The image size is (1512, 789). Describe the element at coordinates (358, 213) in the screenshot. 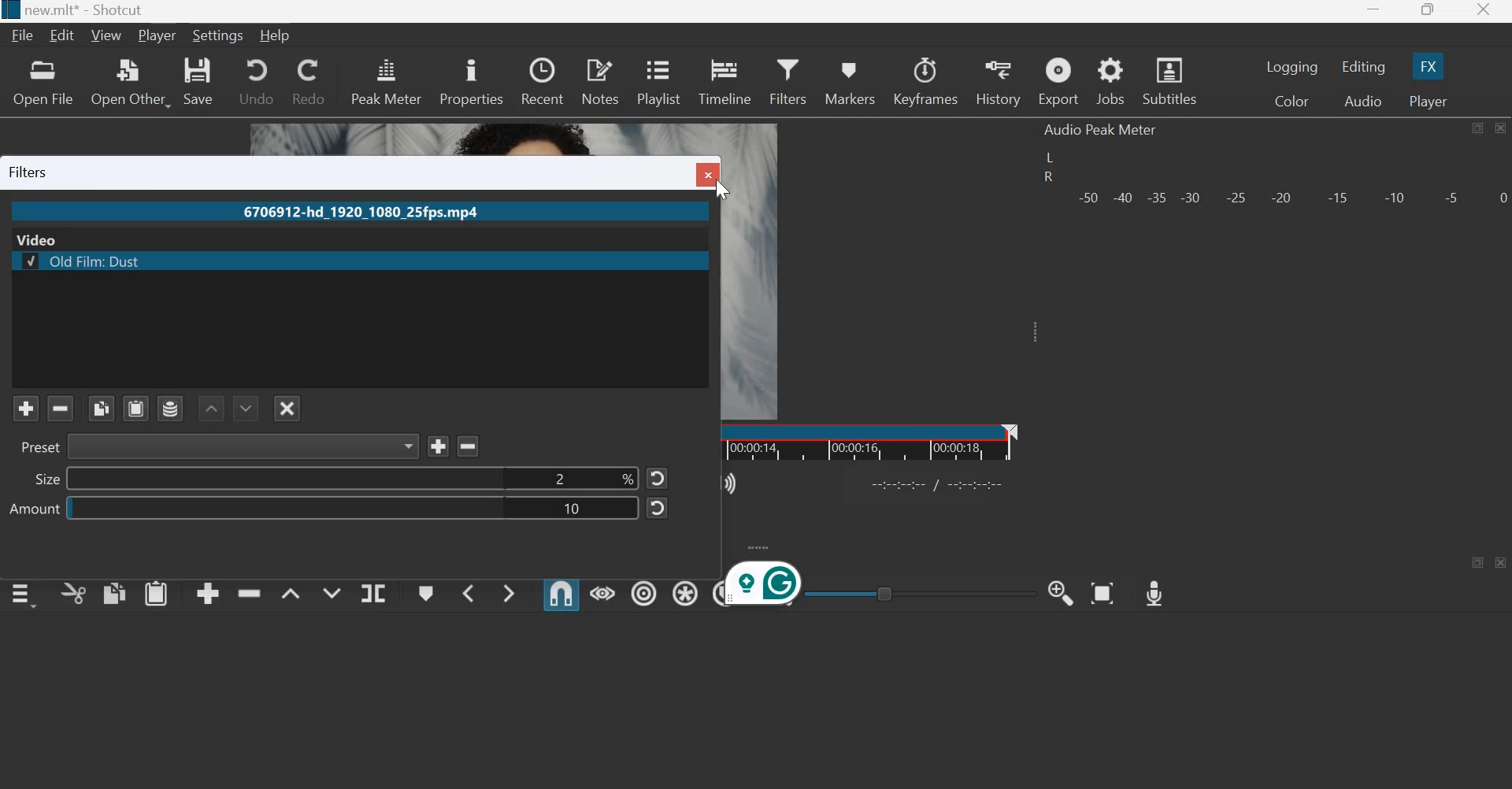

I see `6706912-hd_1920_1080_25fps.mp4` at that location.